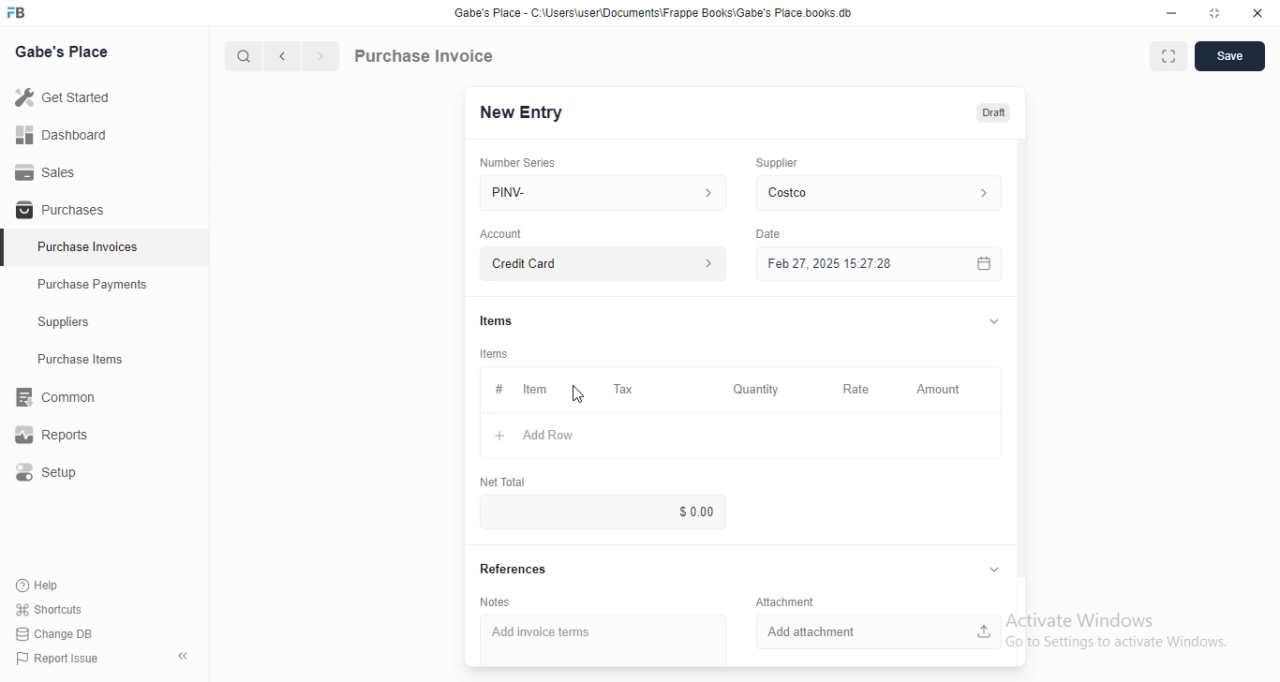 Image resolution: width=1280 pixels, height=682 pixels. What do you see at coordinates (494, 354) in the screenshot?
I see `Items` at bounding box center [494, 354].